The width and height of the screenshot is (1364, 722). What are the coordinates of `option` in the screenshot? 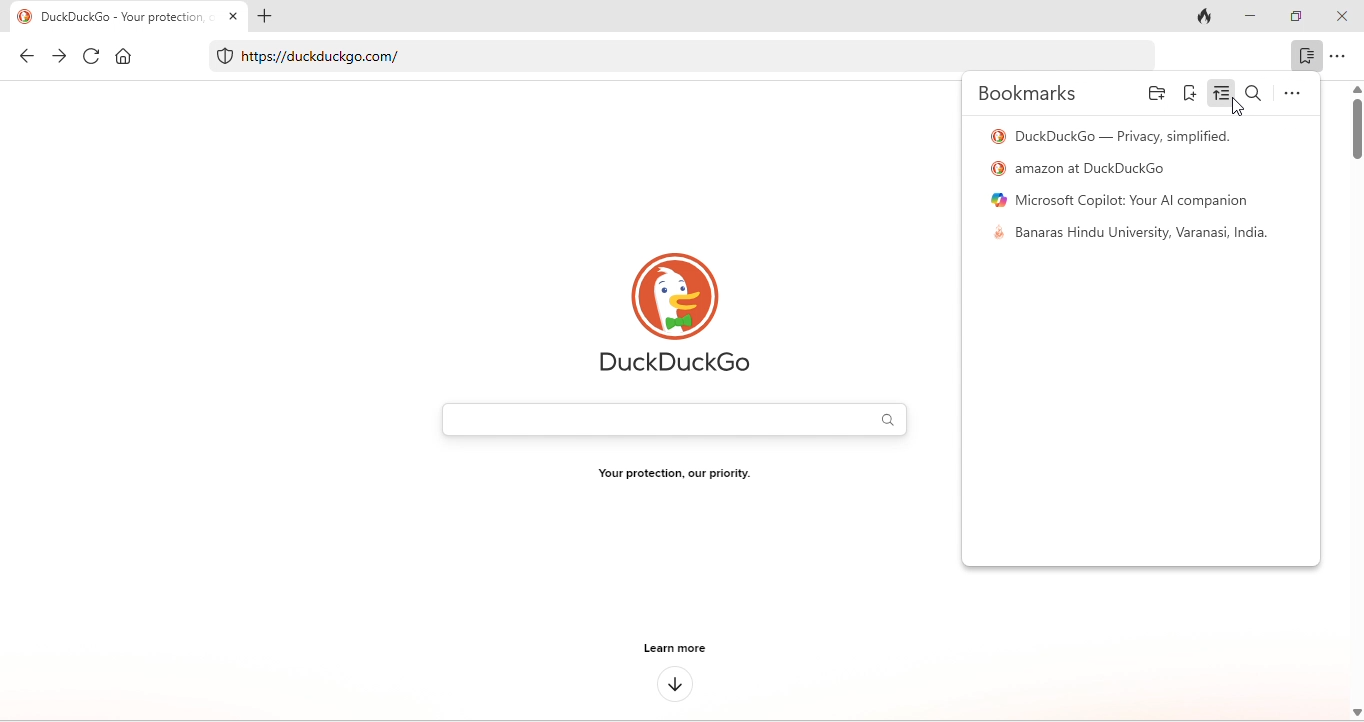 It's located at (1339, 56).